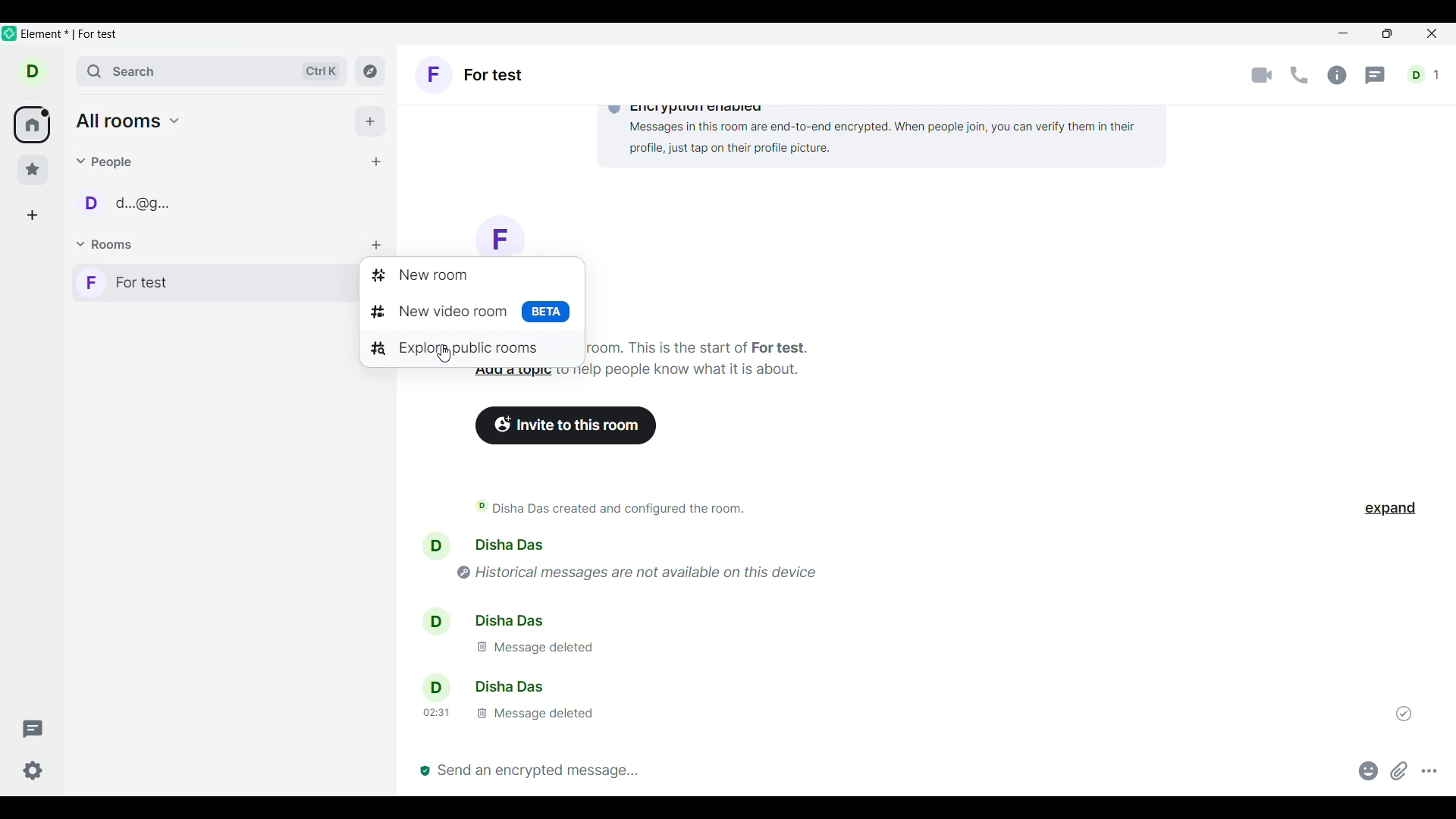 This screenshot has height=819, width=1456. Describe the element at coordinates (513, 372) in the screenshot. I see `Add a topic` at that location.